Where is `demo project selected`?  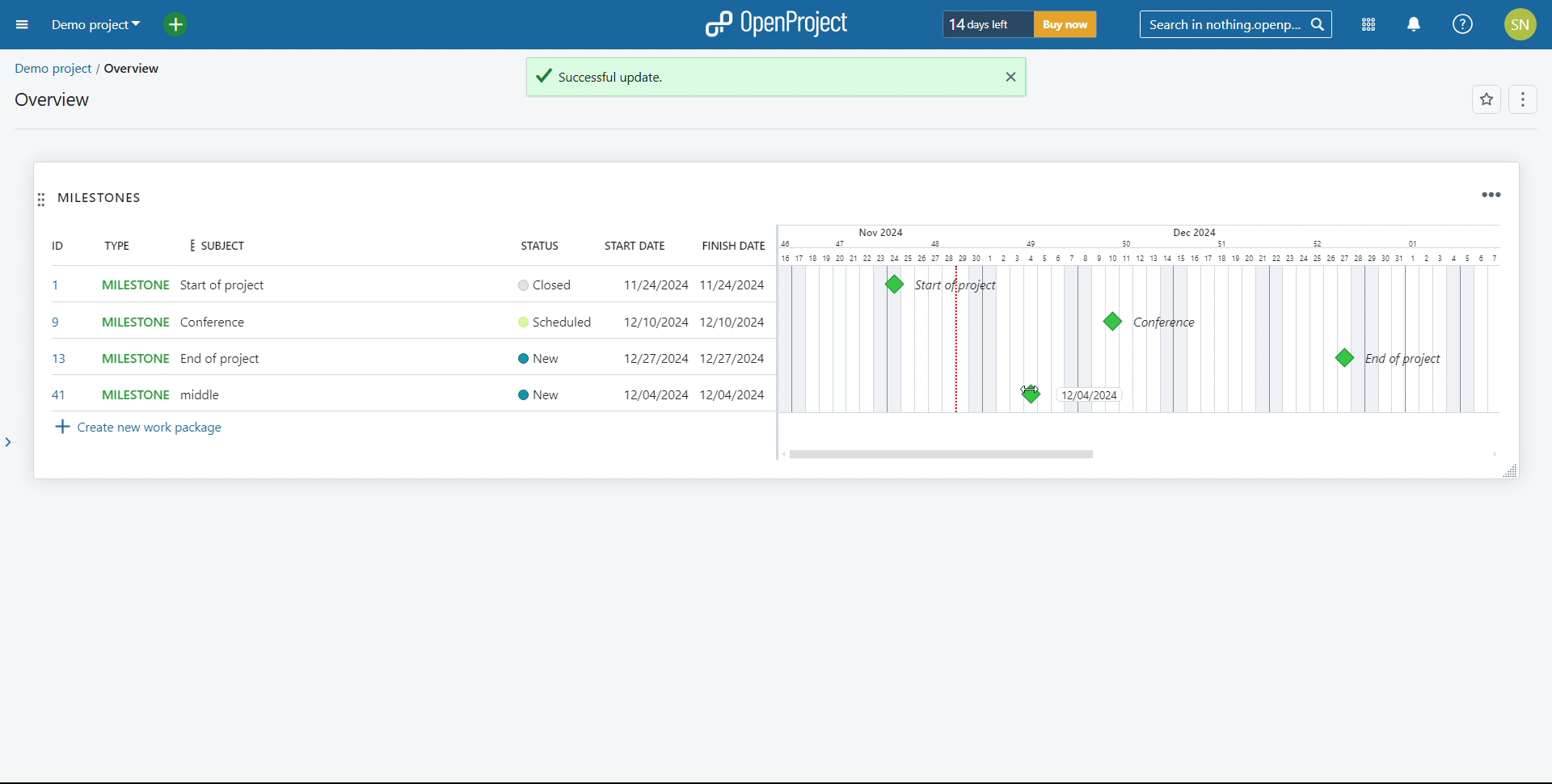
demo project selected is located at coordinates (95, 25).